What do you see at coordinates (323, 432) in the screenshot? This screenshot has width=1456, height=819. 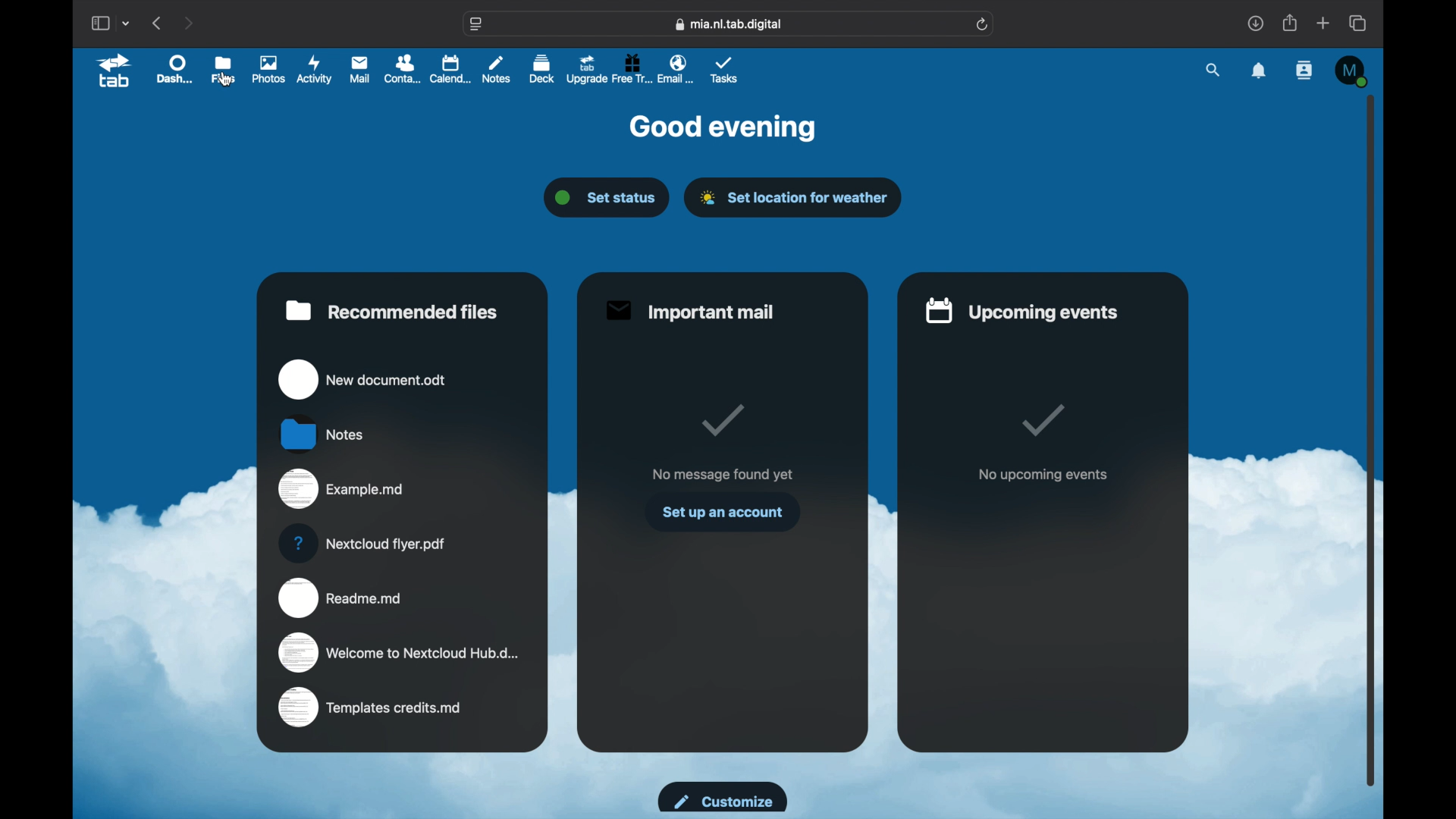 I see `notes` at bounding box center [323, 432].